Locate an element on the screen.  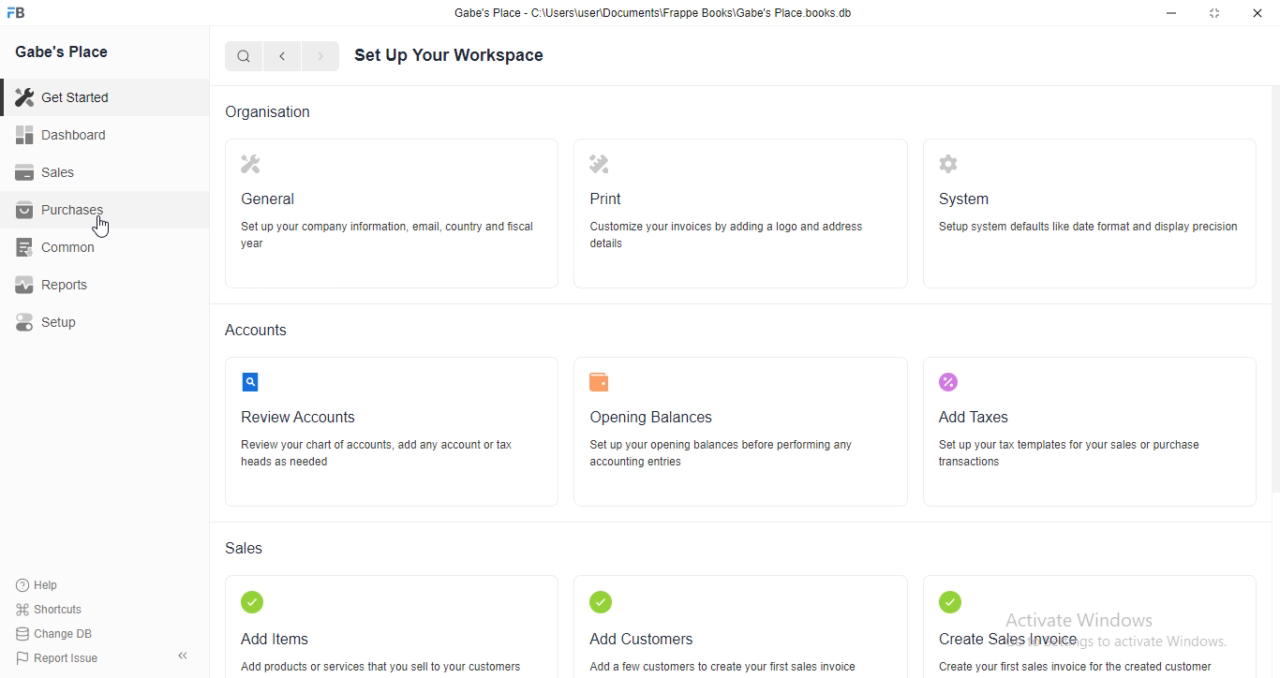
Add a few customers to create your first sales invoice. is located at coordinates (723, 662).